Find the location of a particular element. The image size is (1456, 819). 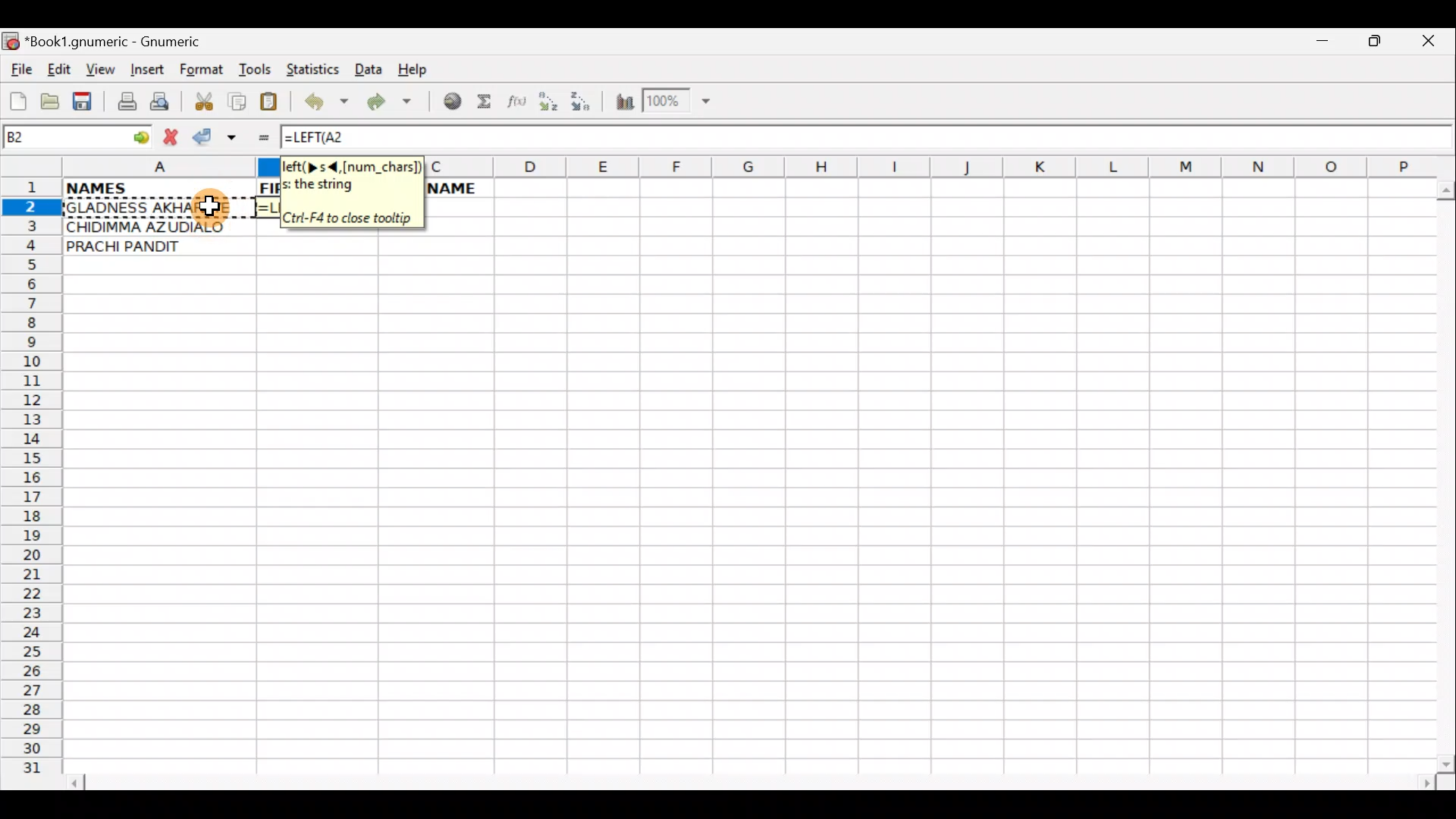

GLADNESS AKHARAYE is located at coordinates (156, 207).